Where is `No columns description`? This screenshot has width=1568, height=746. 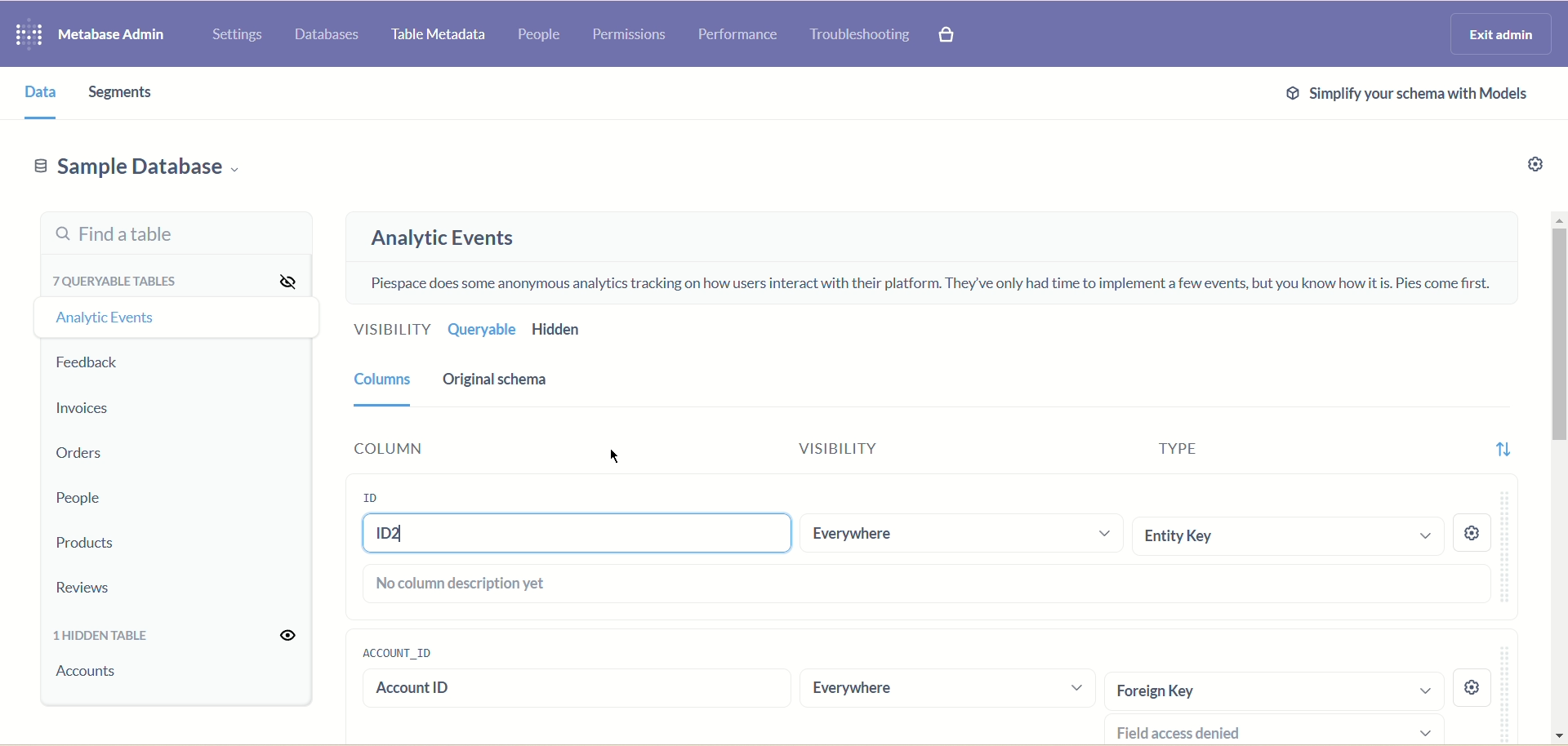
No columns description is located at coordinates (927, 585).